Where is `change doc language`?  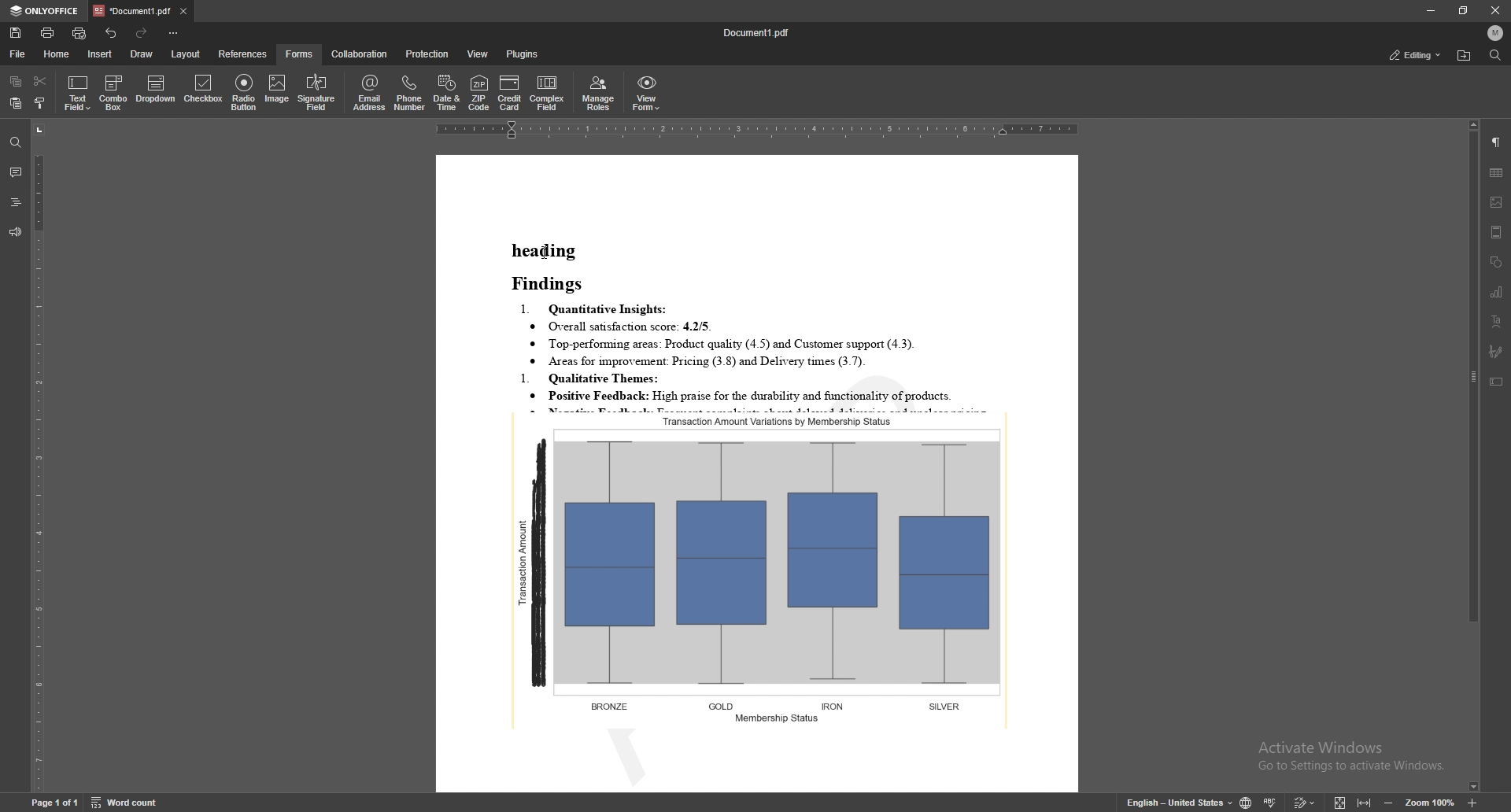
change doc language is located at coordinates (1245, 802).